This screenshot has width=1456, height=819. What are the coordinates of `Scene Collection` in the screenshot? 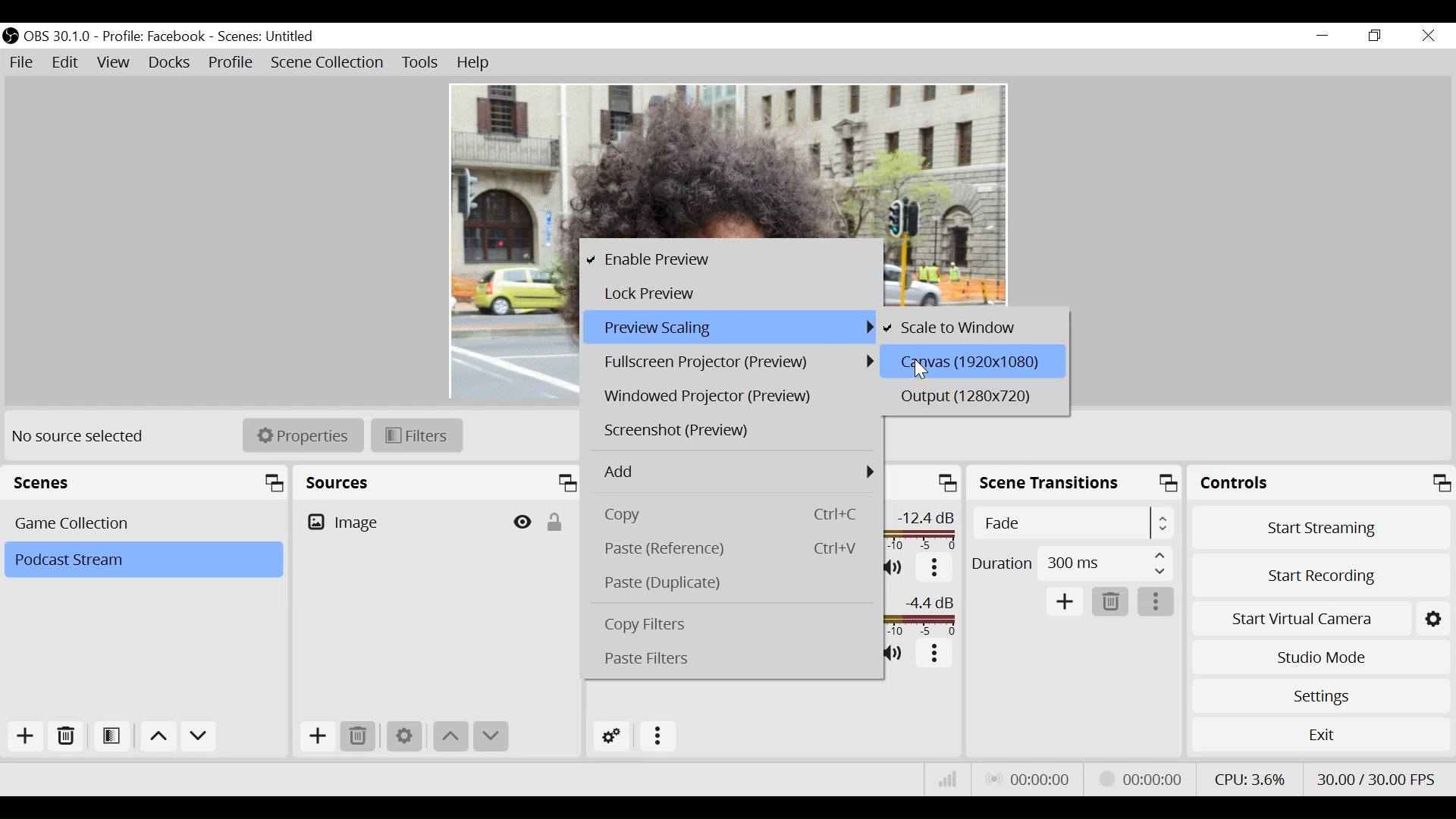 It's located at (330, 64).